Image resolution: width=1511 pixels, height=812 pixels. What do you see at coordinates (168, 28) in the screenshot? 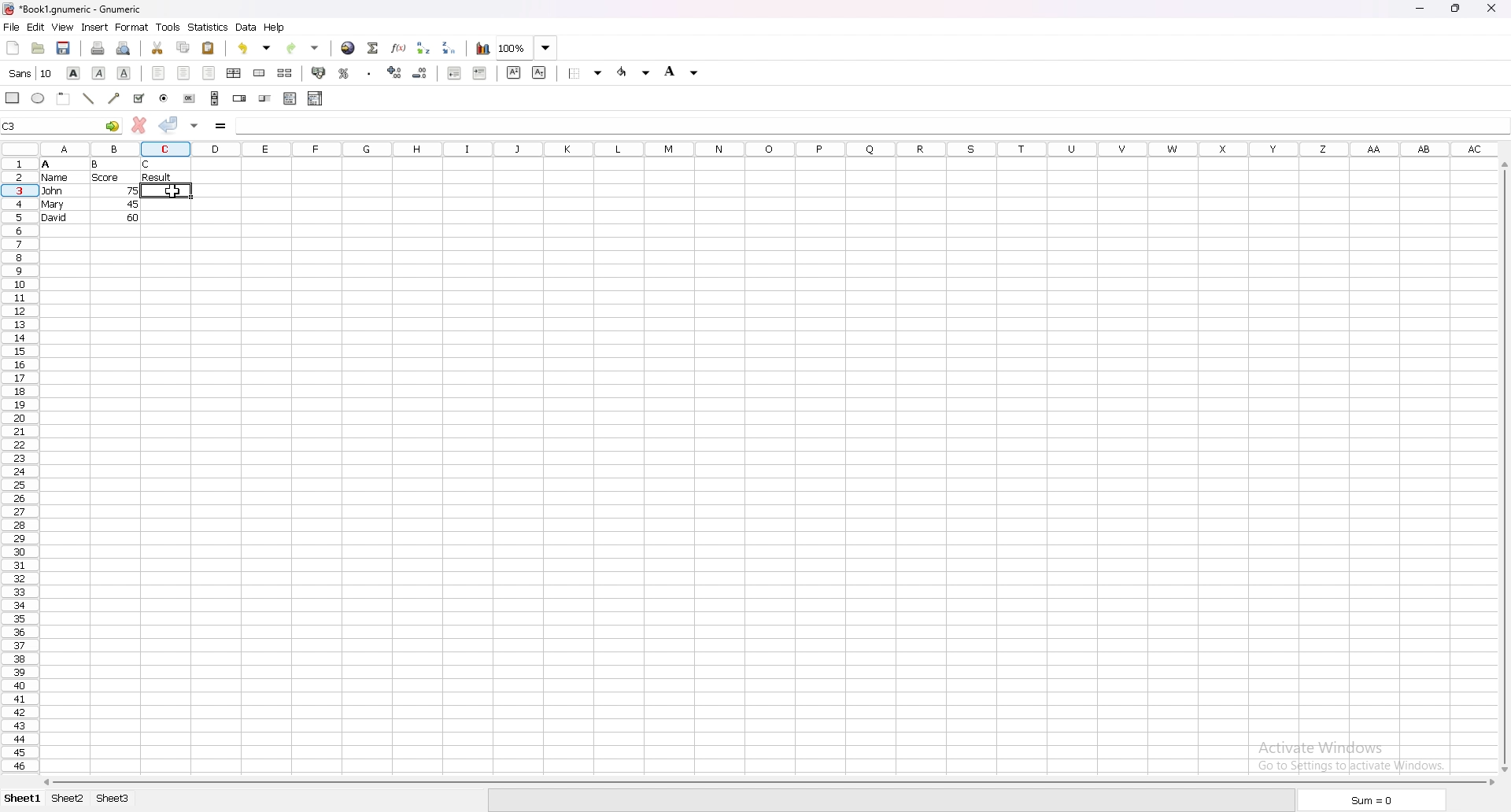
I see `tools` at bounding box center [168, 28].